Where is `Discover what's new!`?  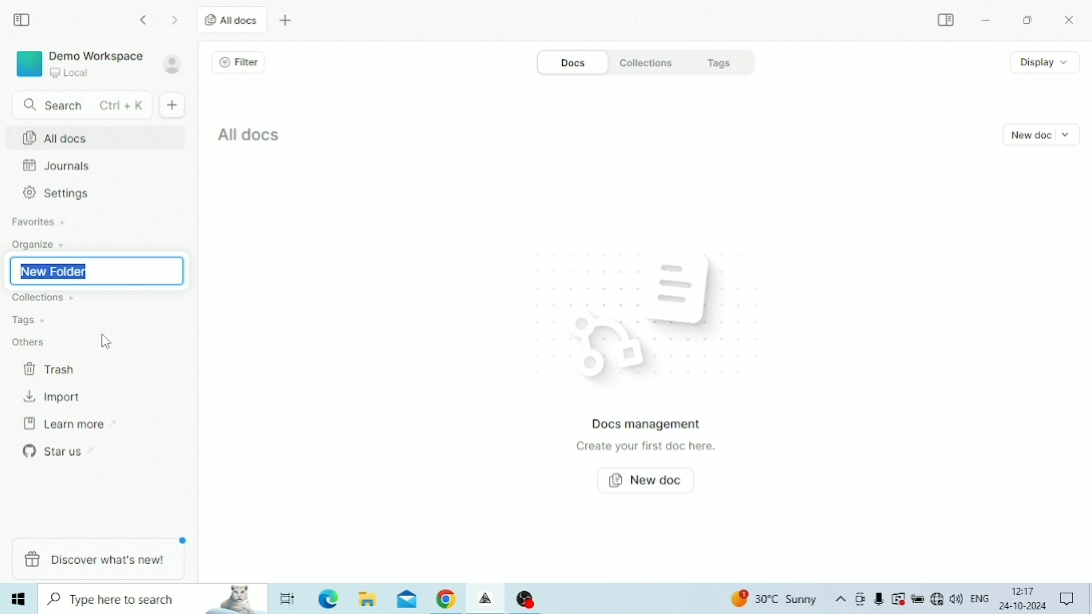
Discover what's new! is located at coordinates (98, 560).